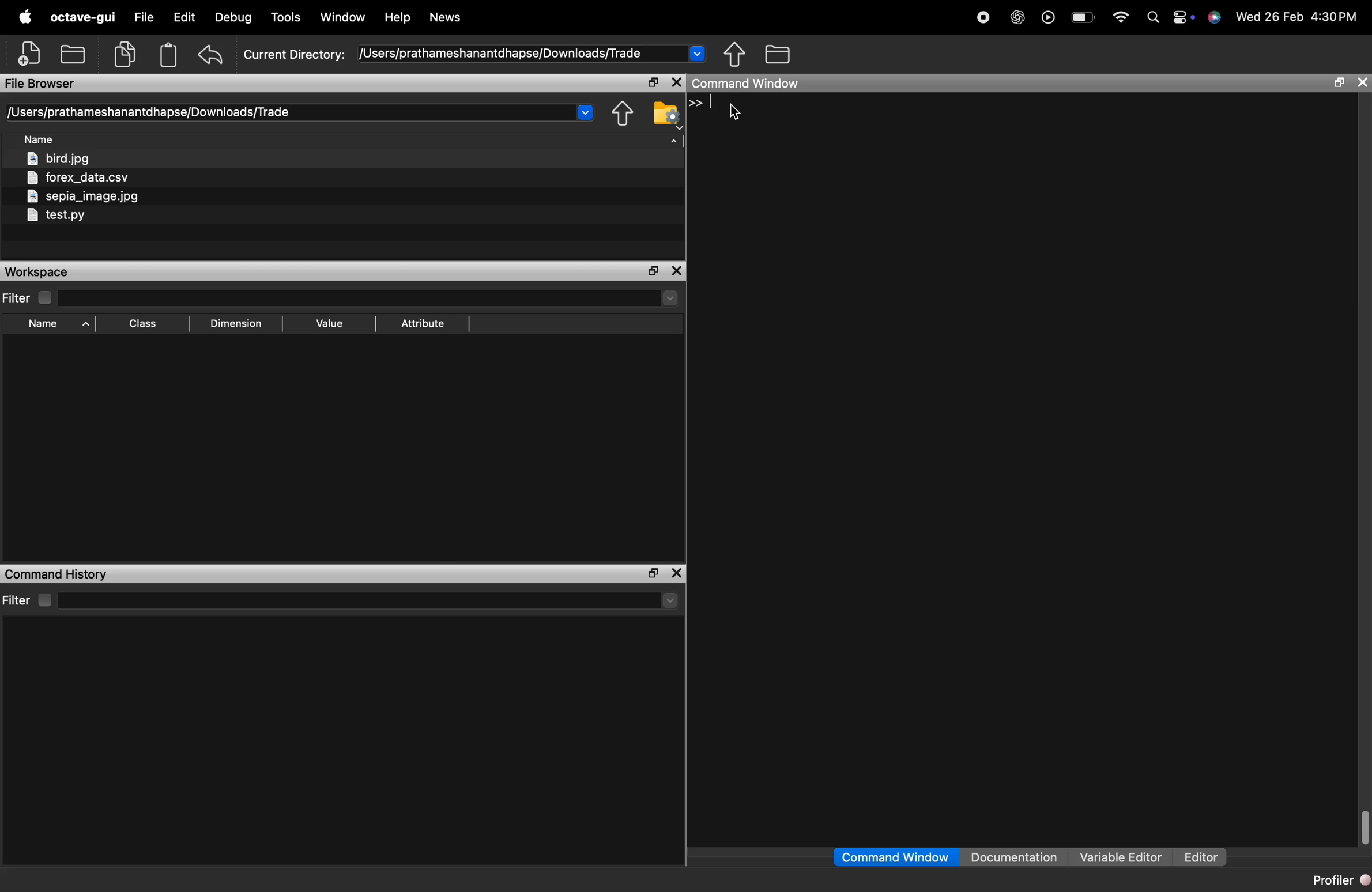 This screenshot has width=1372, height=892. Describe the element at coordinates (670, 600) in the screenshot. I see `Drop-down ` at that location.